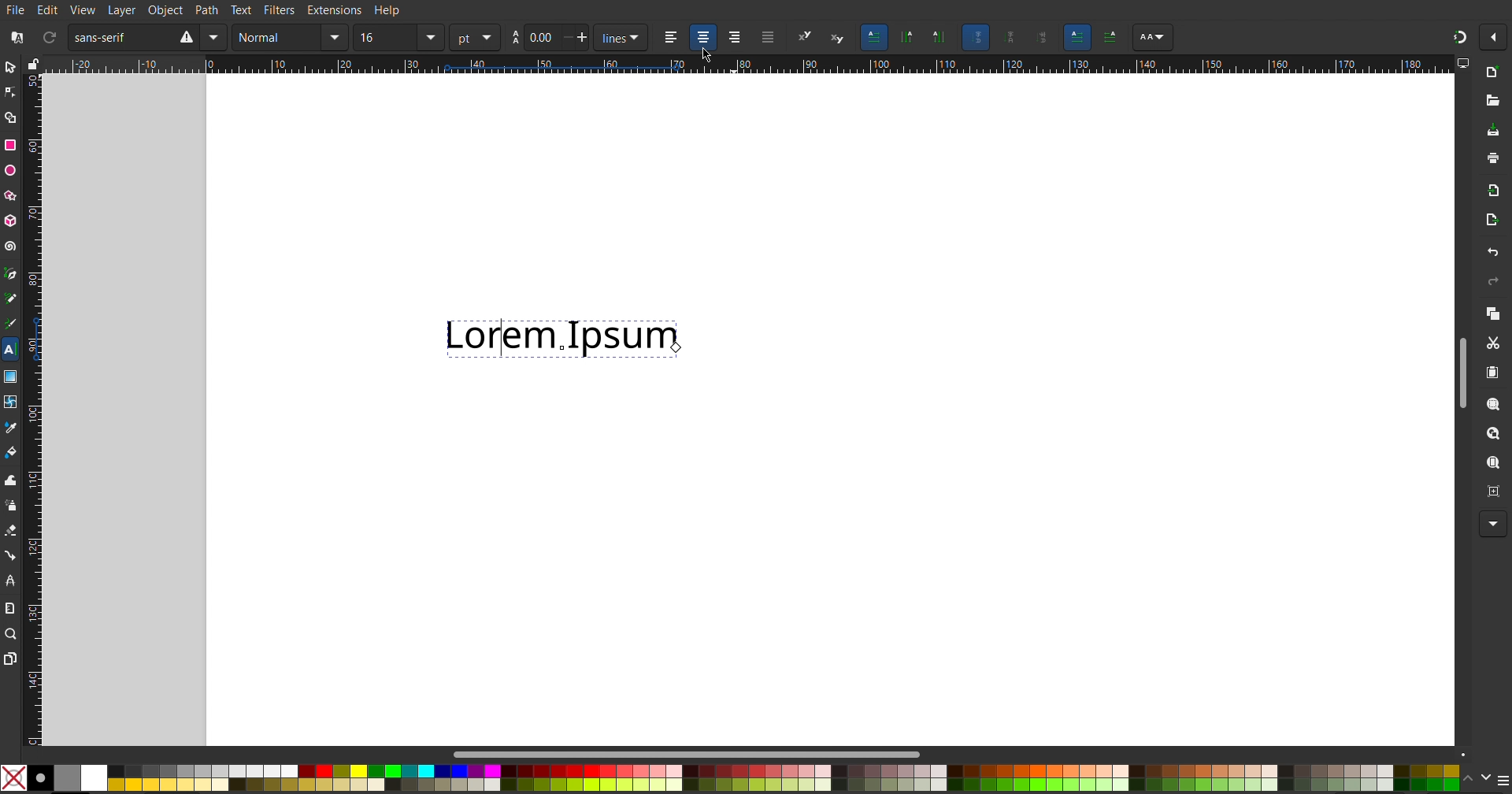 This screenshot has width=1512, height=794. Describe the element at coordinates (1493, 158) in the screenshot. I see `Print` at that location.